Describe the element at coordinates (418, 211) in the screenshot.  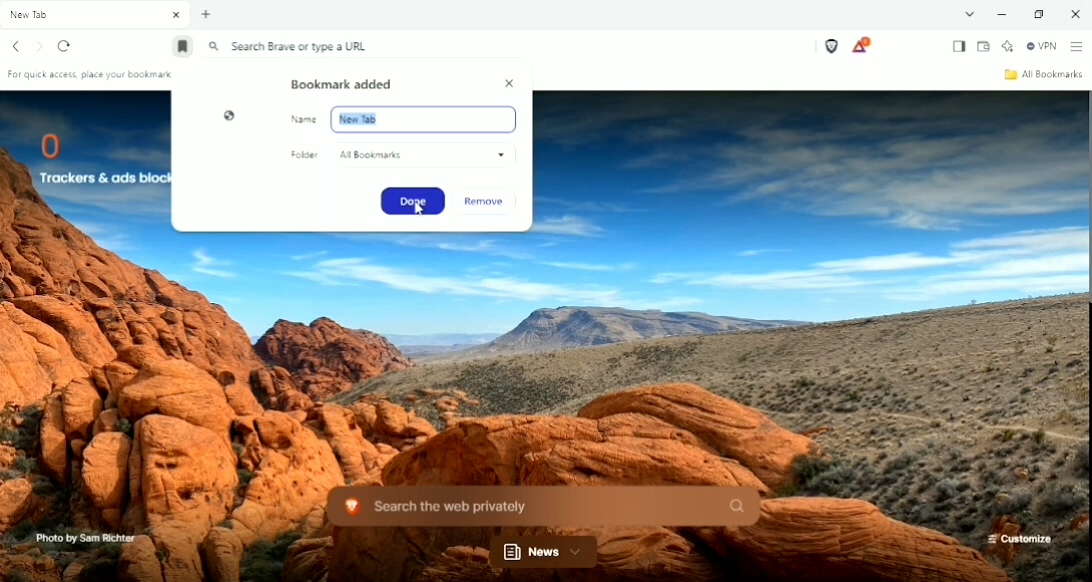
I see `Cursor` at that location.